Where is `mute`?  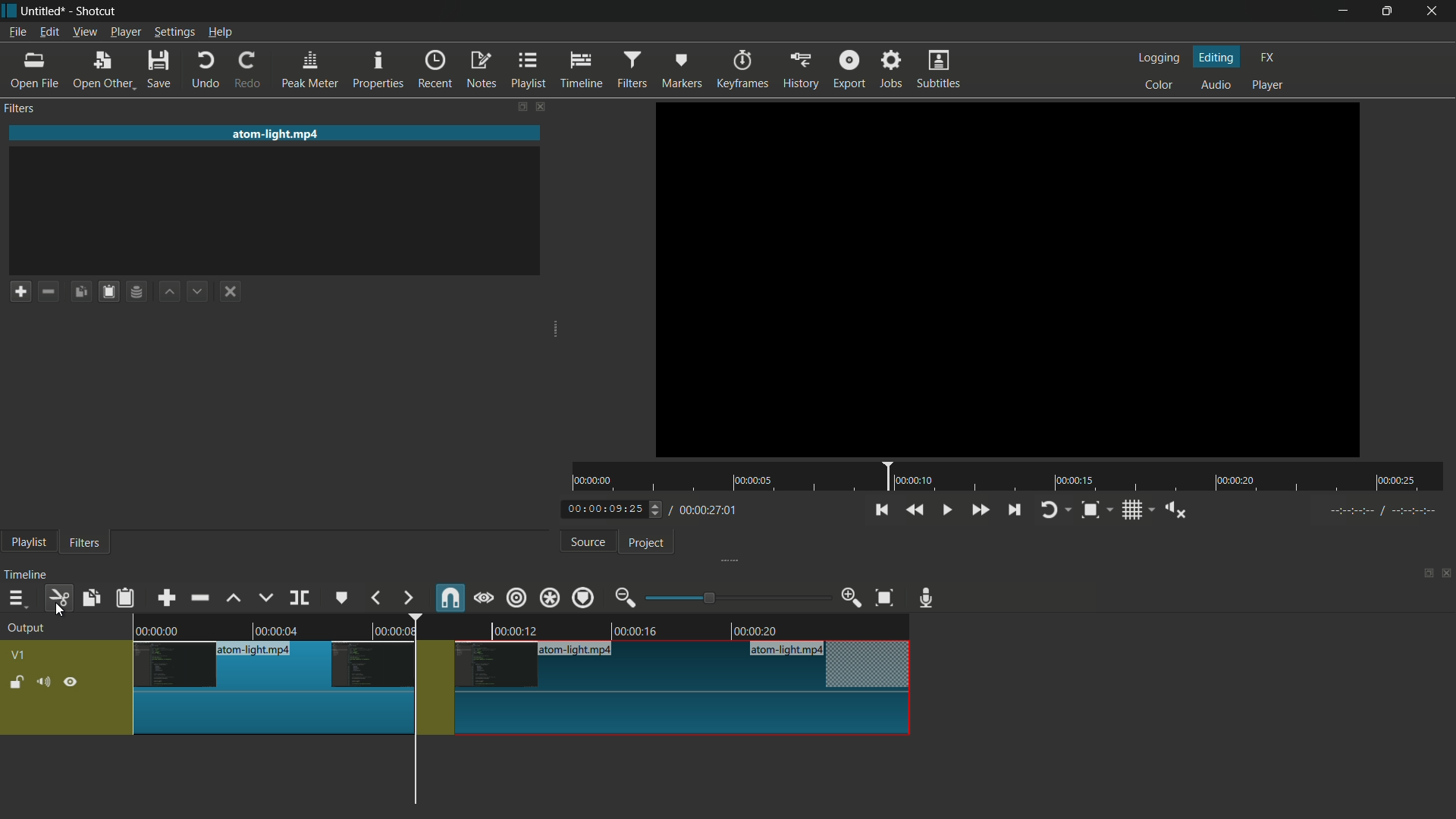
mute is located at coordinates (42, 681).